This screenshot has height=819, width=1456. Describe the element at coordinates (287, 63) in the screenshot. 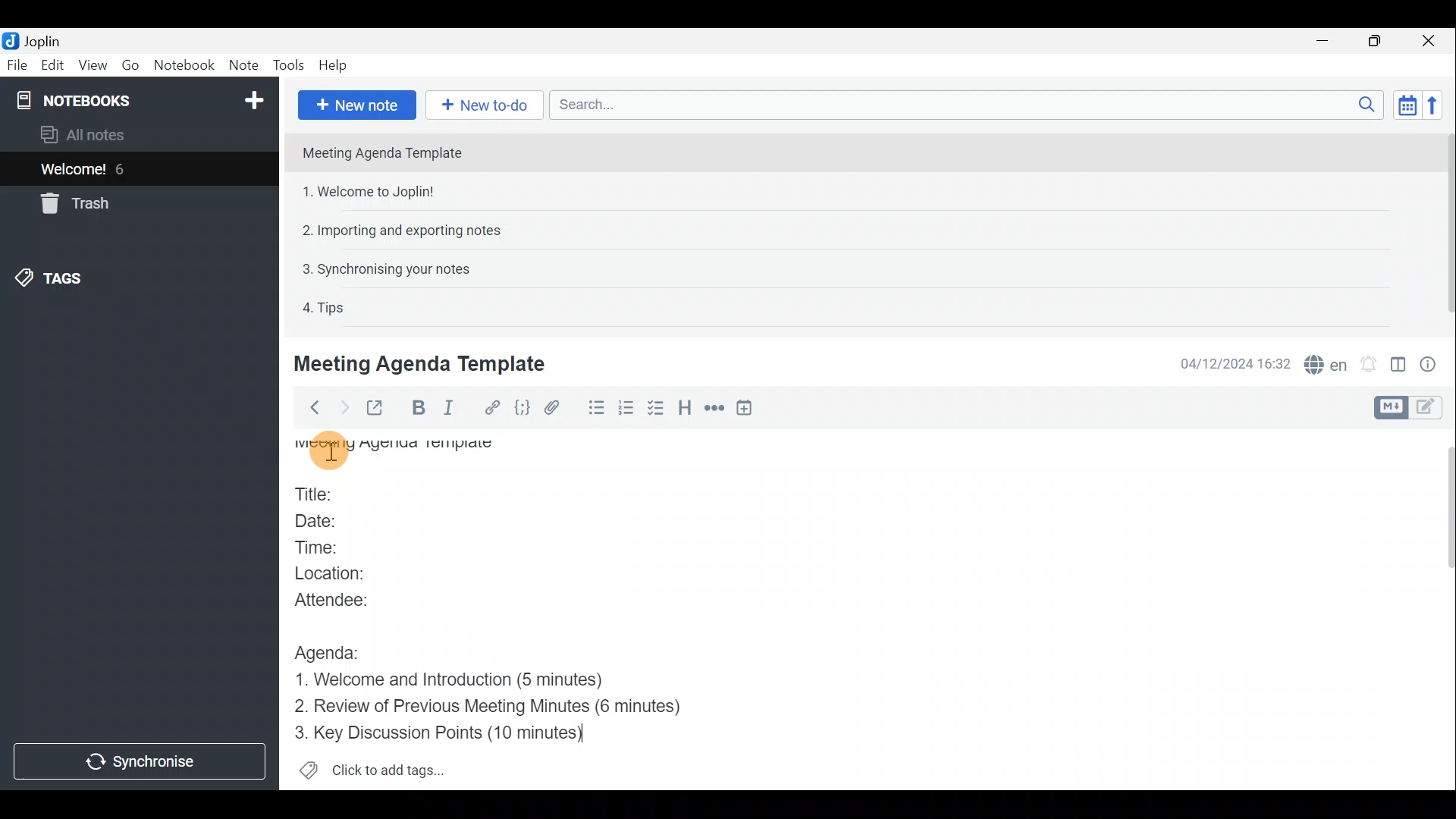

I see `Tools` at that location.